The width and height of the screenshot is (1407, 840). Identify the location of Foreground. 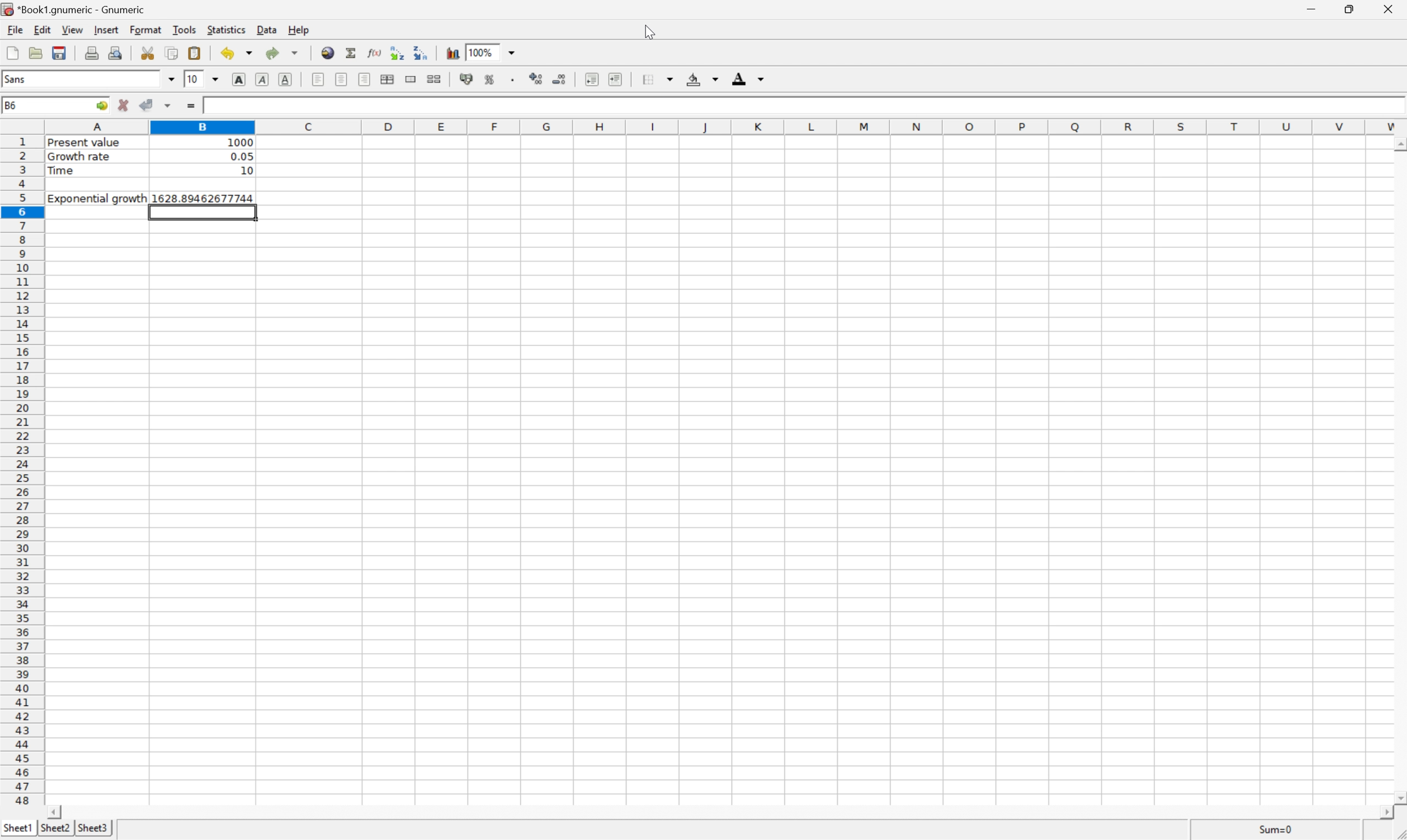
(747, 78).